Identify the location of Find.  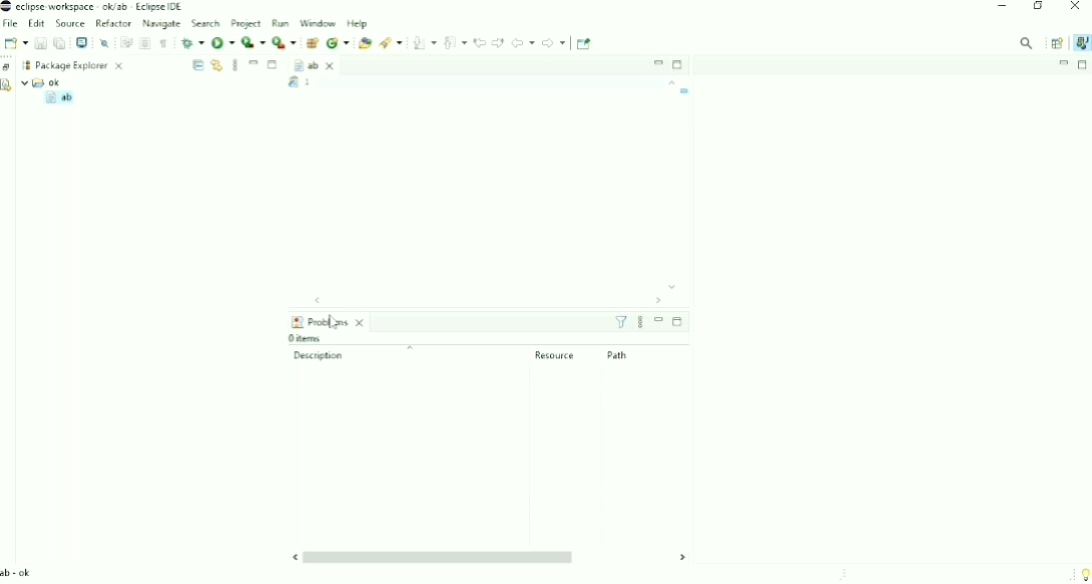
(1027, 43).